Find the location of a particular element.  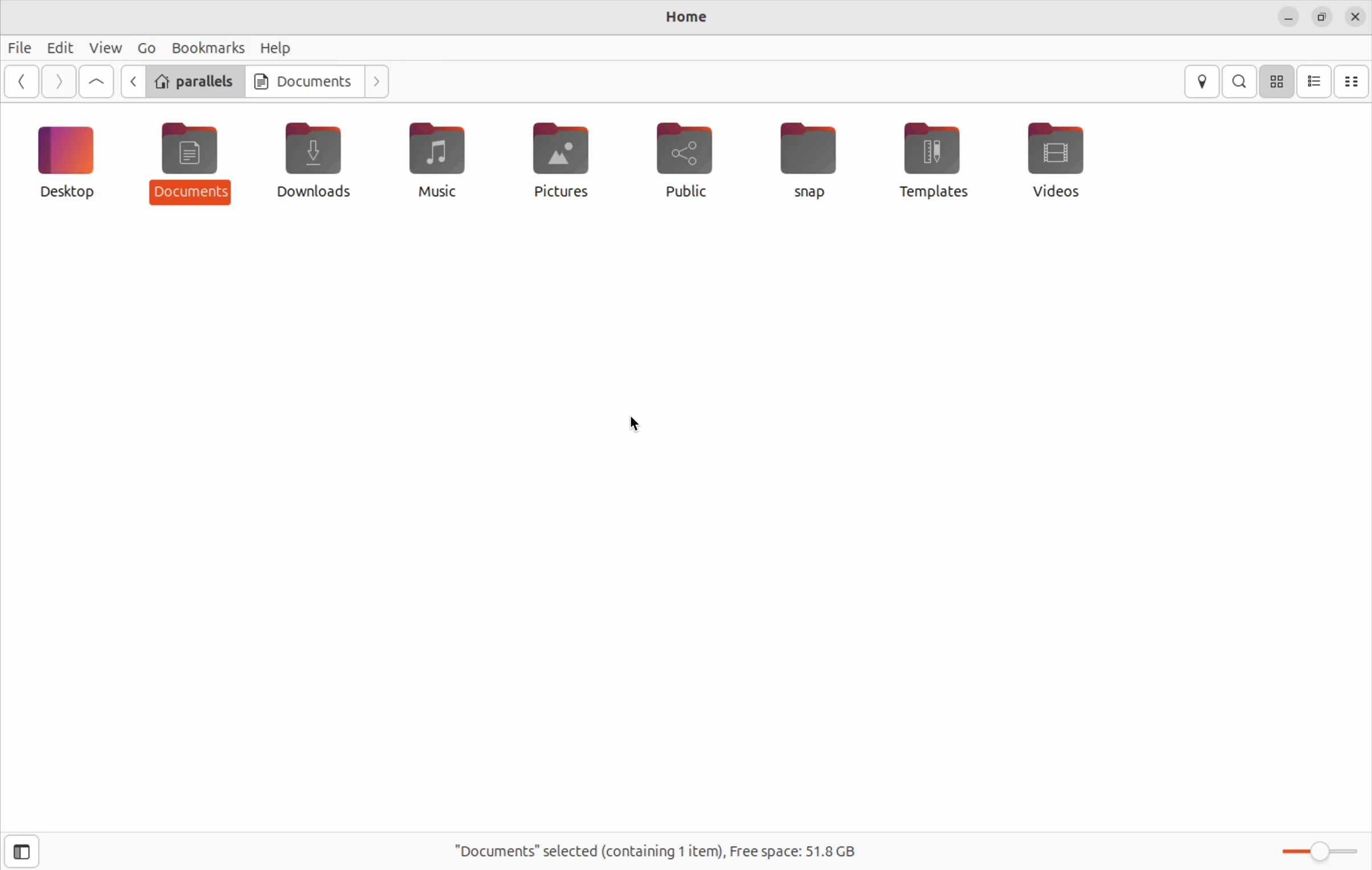

Videos is located at coordinates (1057, 167).